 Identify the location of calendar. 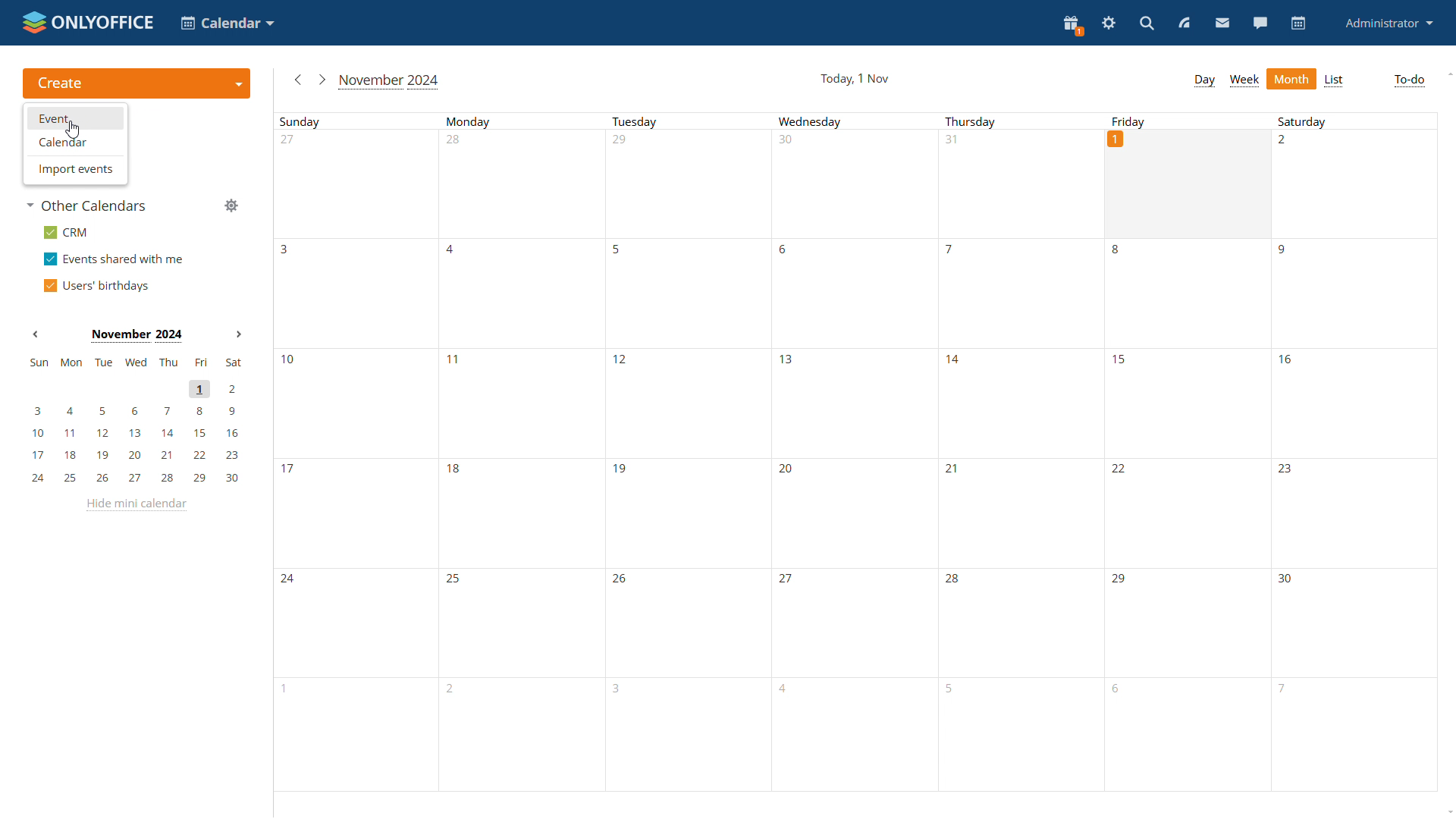
(1299, 24).